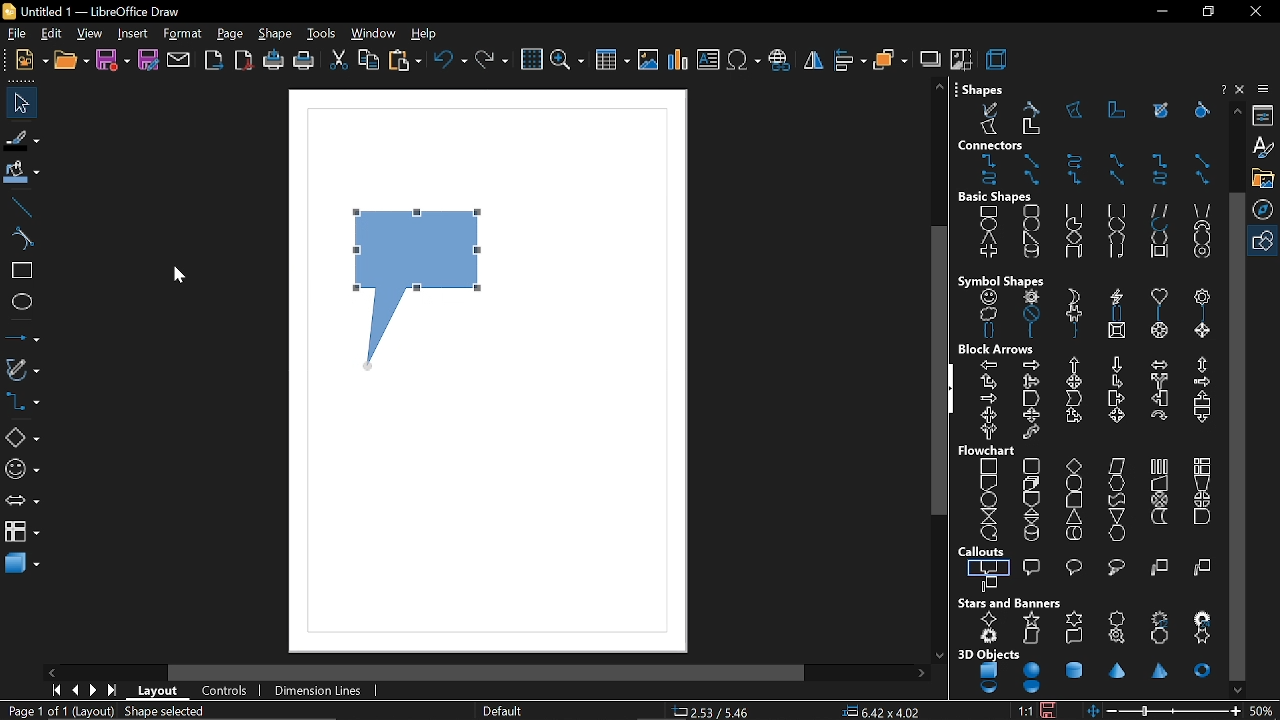 Image resolution: width=1280 pixels, height=720 pixels. I want to click on rectangle, so click(18, 272).